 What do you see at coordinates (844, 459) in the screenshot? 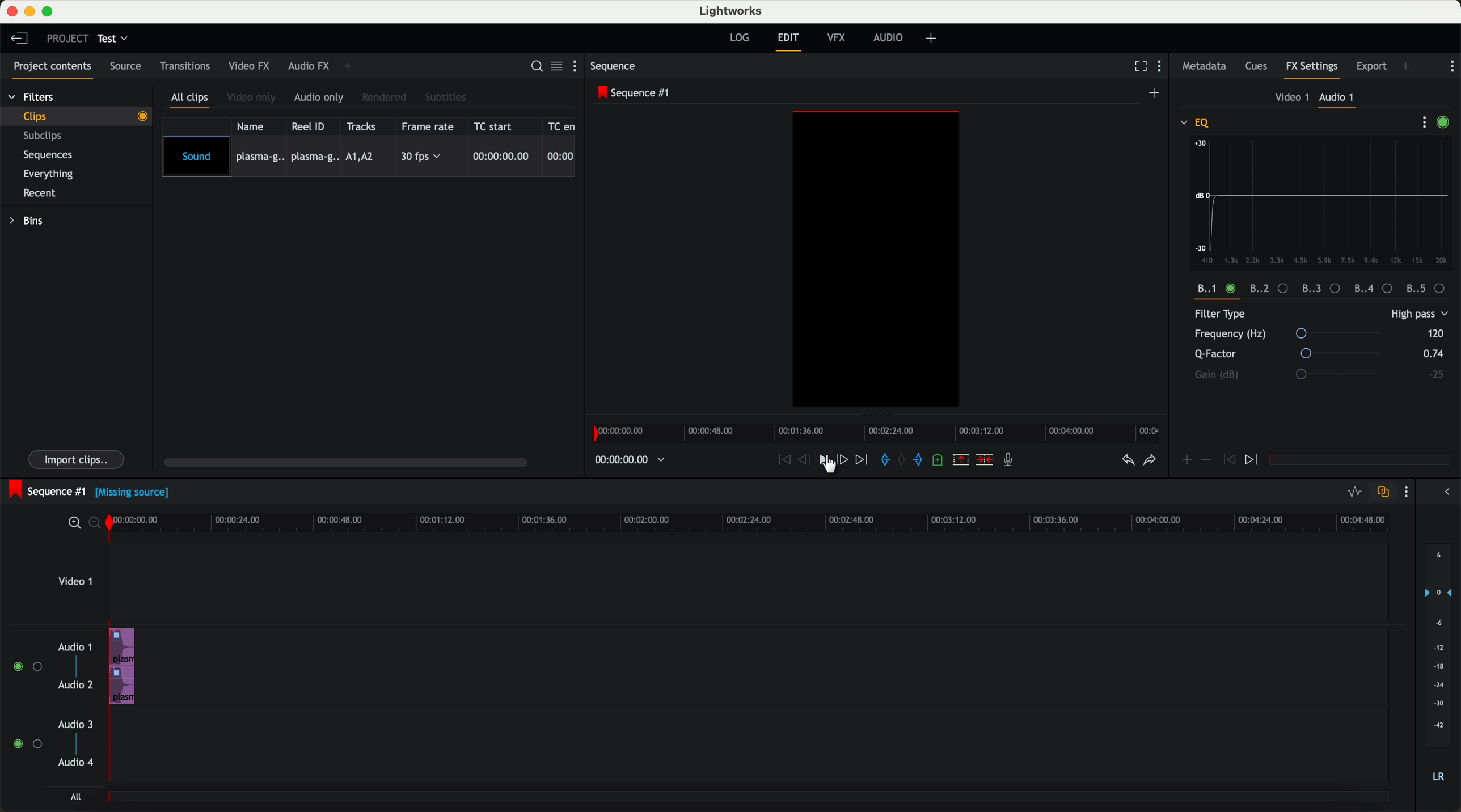
I see `nudge one frame foward` at bounding box center [844, 459].